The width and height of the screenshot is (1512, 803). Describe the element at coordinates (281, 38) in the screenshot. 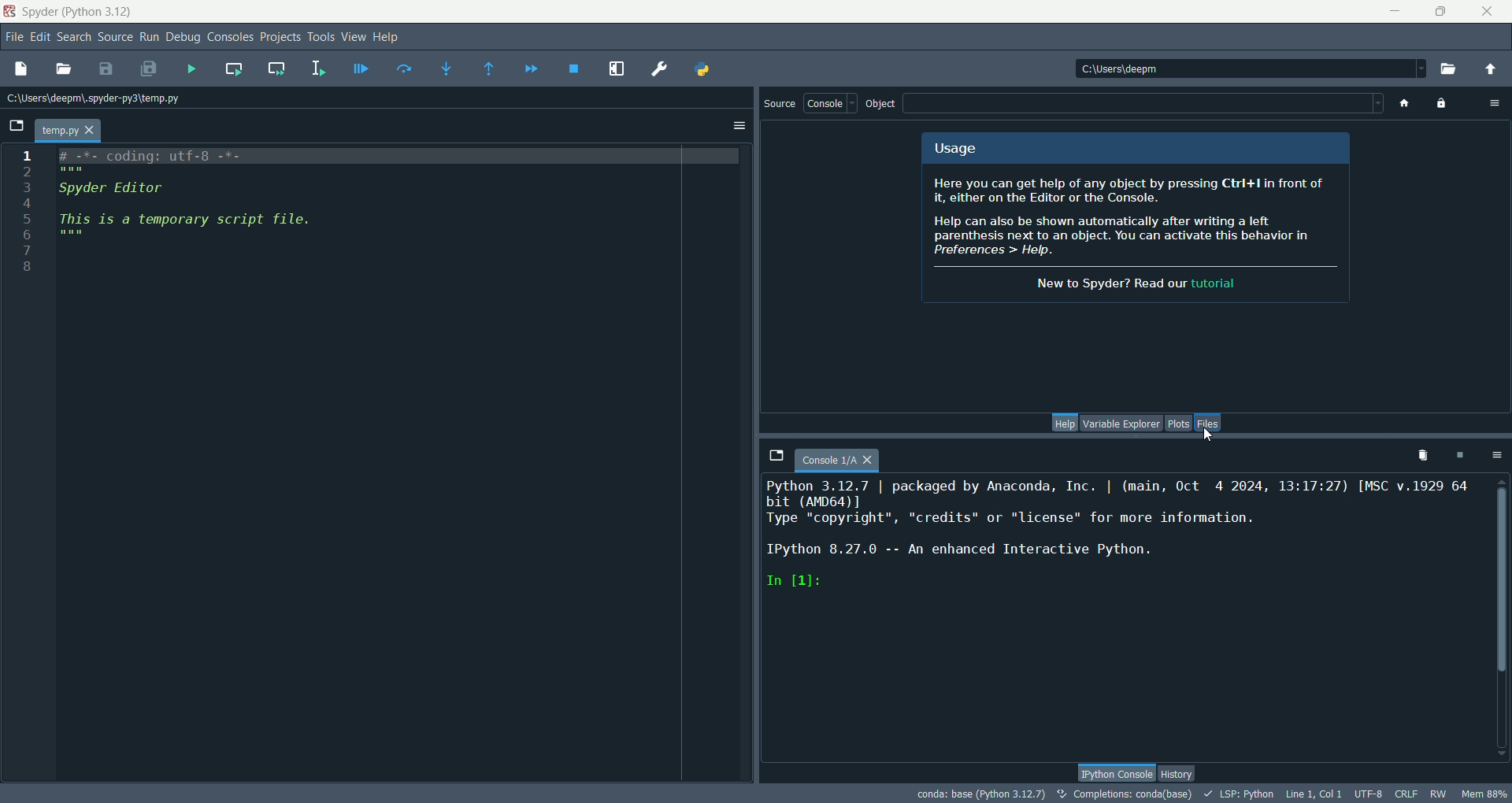

I see `projects` at that location.